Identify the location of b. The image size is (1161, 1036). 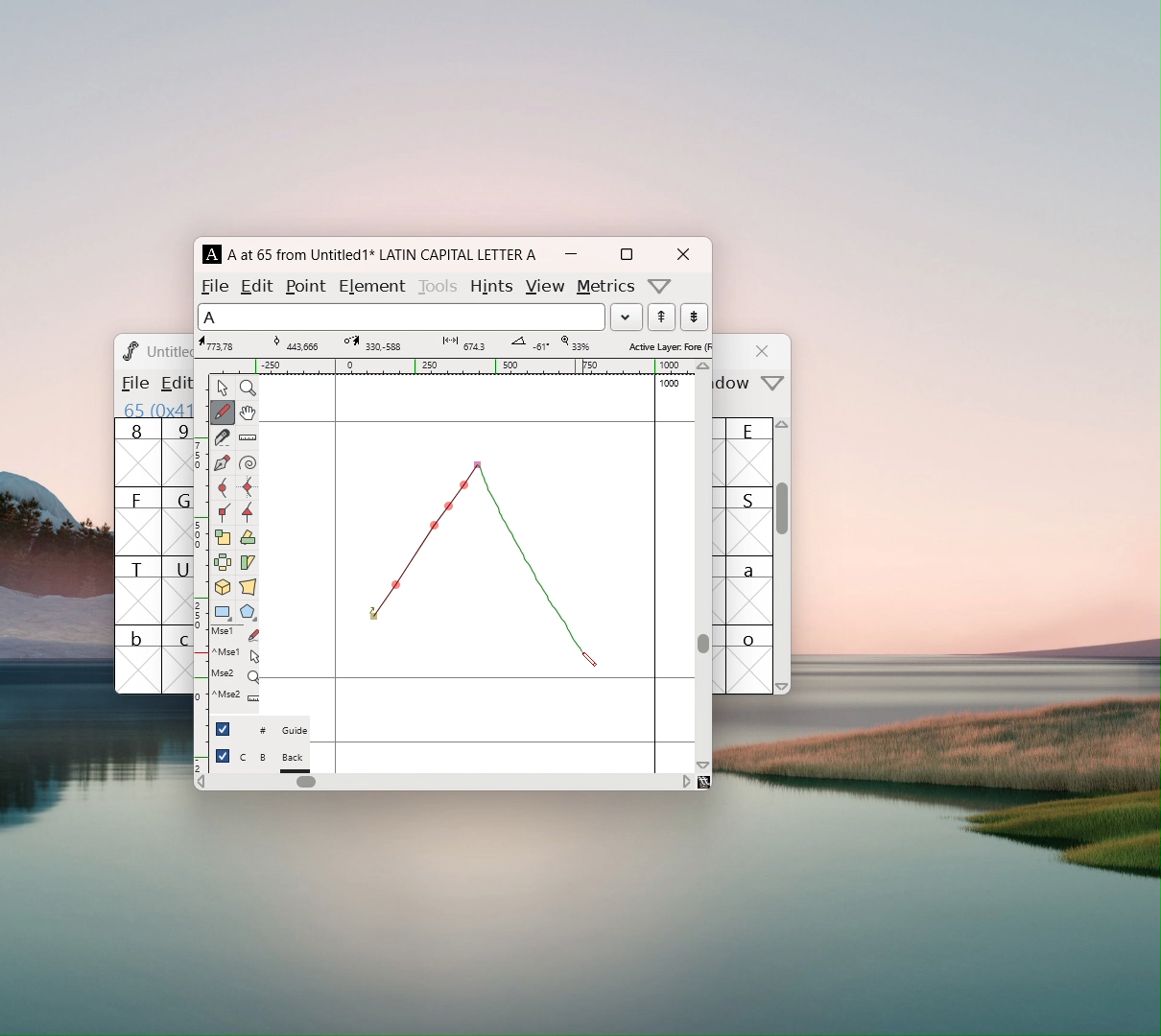
(138, 659).